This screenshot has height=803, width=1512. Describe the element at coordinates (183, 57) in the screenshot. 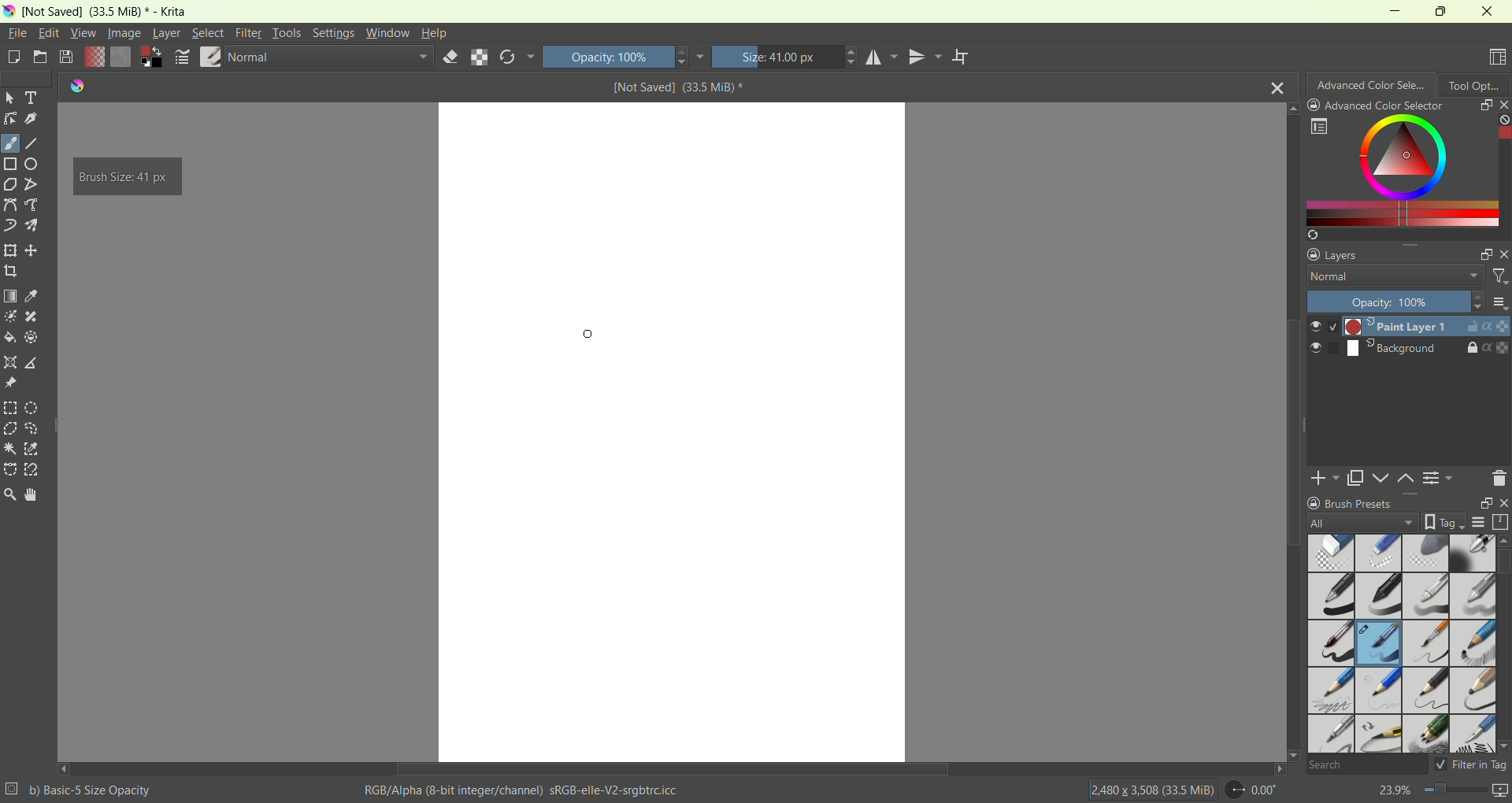

I see `edit brush settings` at that location.